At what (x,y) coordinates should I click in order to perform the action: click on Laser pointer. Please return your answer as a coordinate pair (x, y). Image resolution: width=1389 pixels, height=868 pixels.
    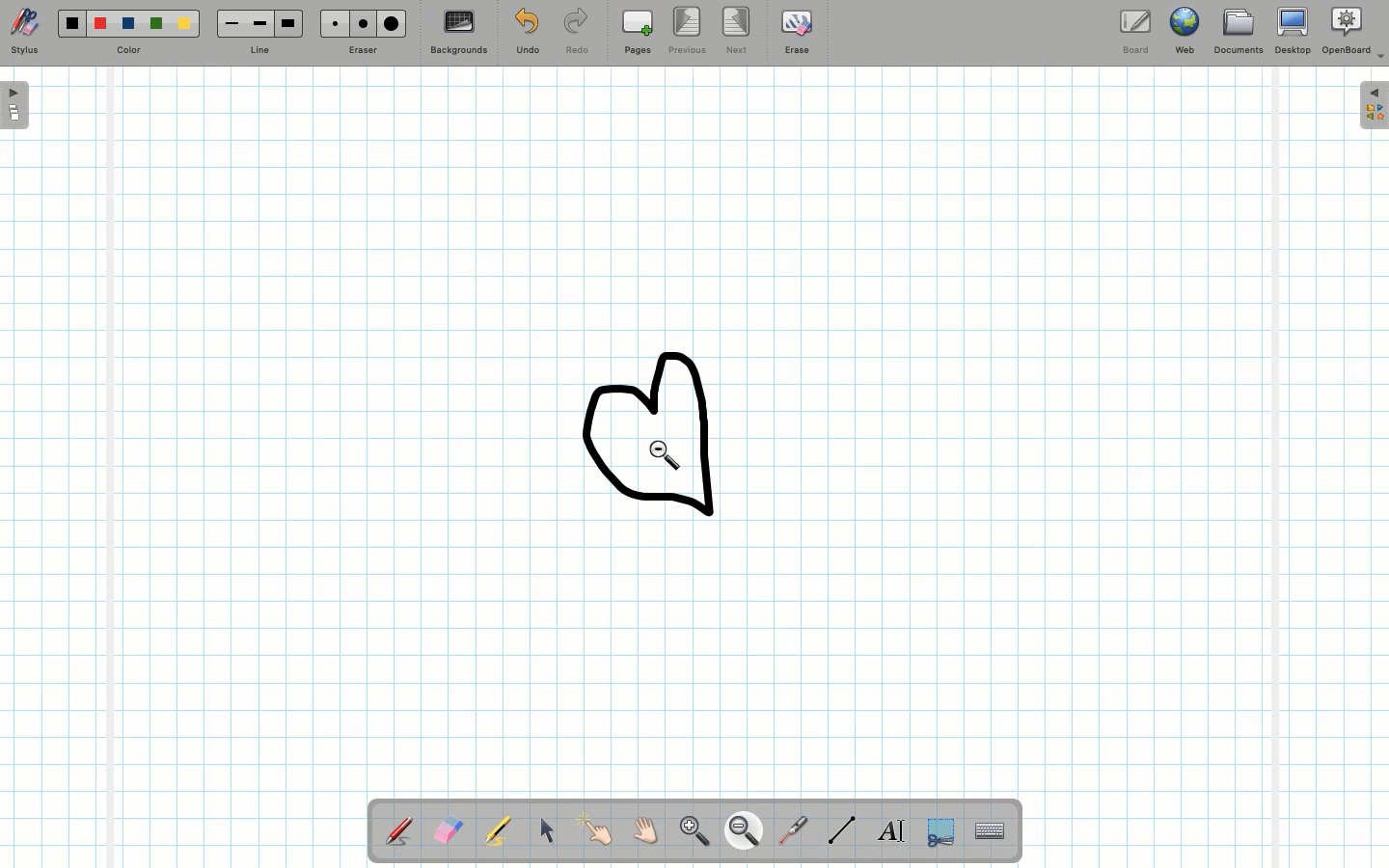
    Looking at the image, I should click on (794, 827).